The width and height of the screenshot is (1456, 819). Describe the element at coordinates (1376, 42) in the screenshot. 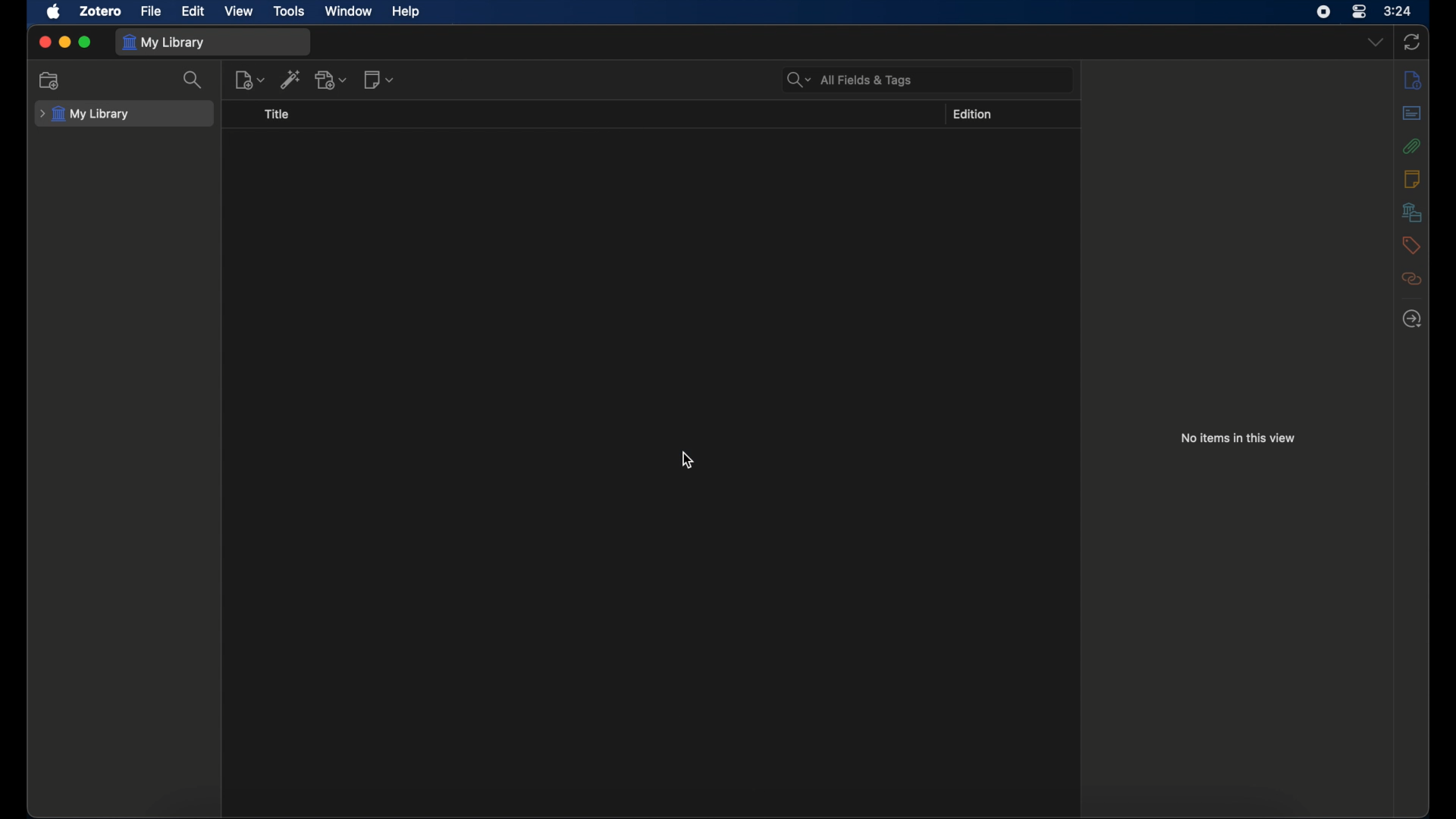

I see `dropdown` at that location.